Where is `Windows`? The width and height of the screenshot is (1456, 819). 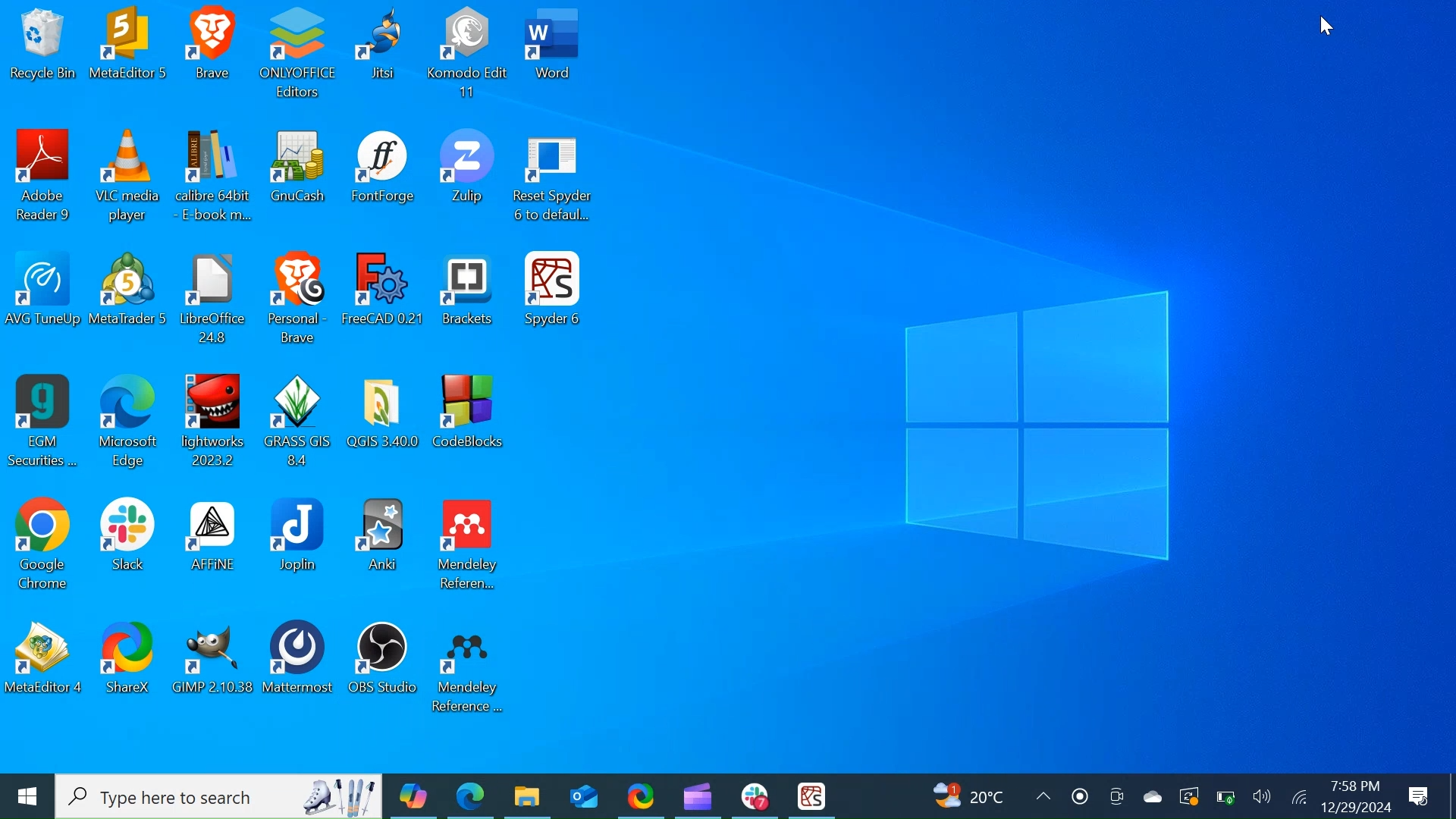 Windows is located at coordinates (28, 793).